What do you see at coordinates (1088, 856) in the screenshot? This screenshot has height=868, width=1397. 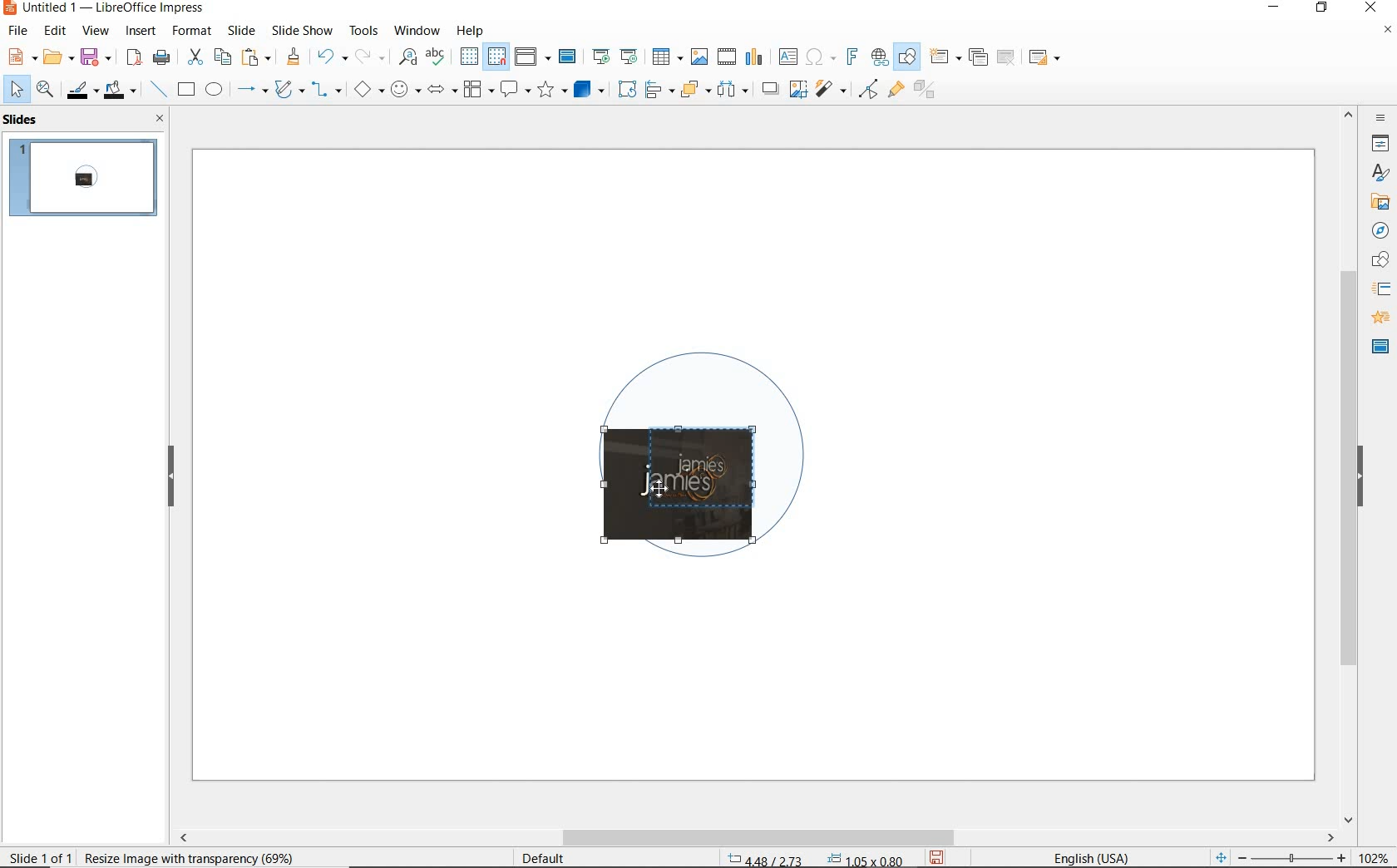 I see `Text language` at bounding box center [1088, 856].